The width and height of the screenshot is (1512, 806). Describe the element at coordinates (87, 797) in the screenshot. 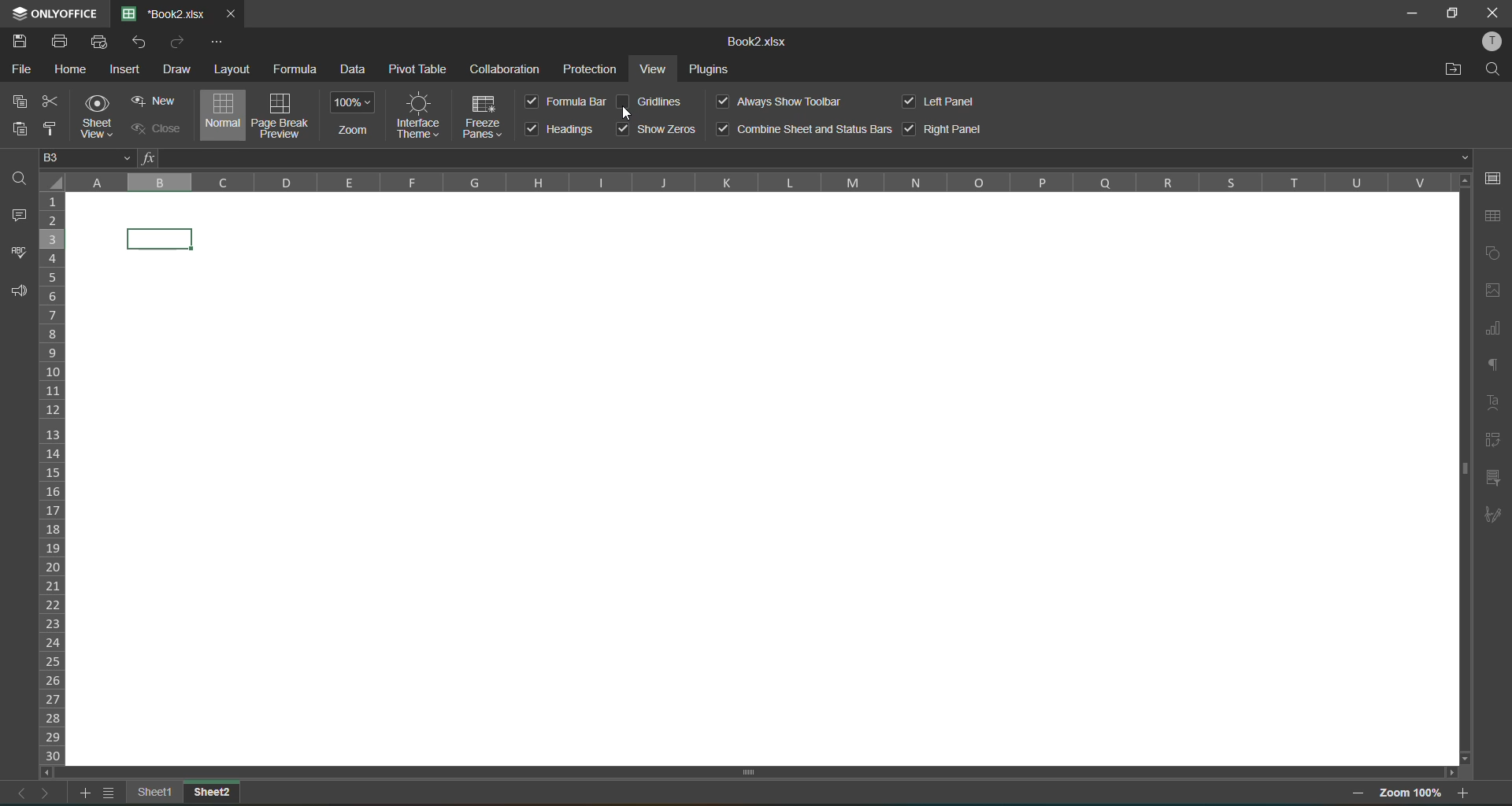

I see `add sheet` at that location.